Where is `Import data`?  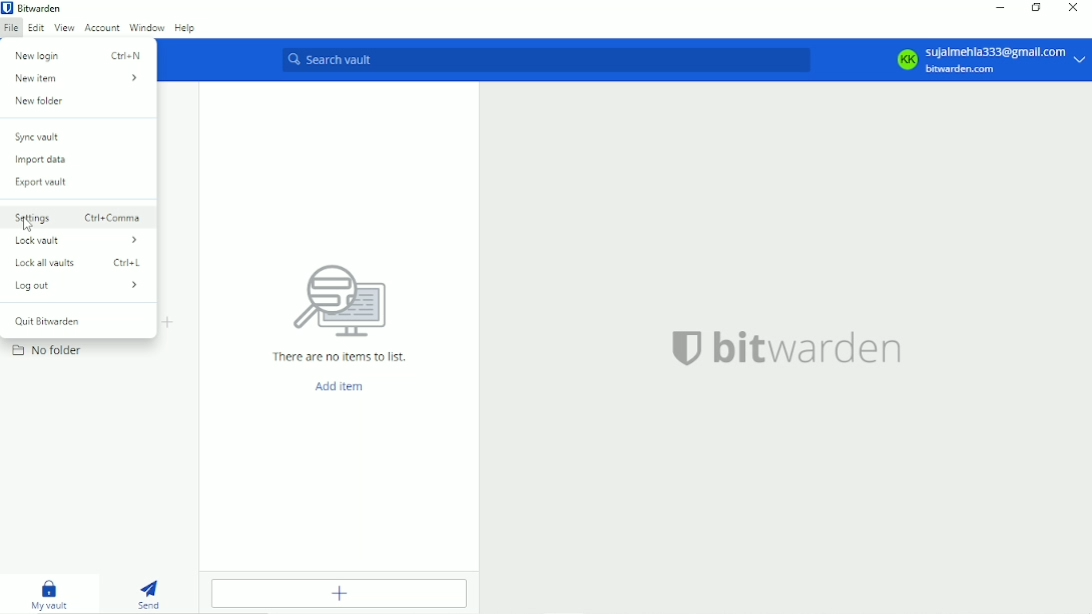 Import data is located at coordinates (38, 161).